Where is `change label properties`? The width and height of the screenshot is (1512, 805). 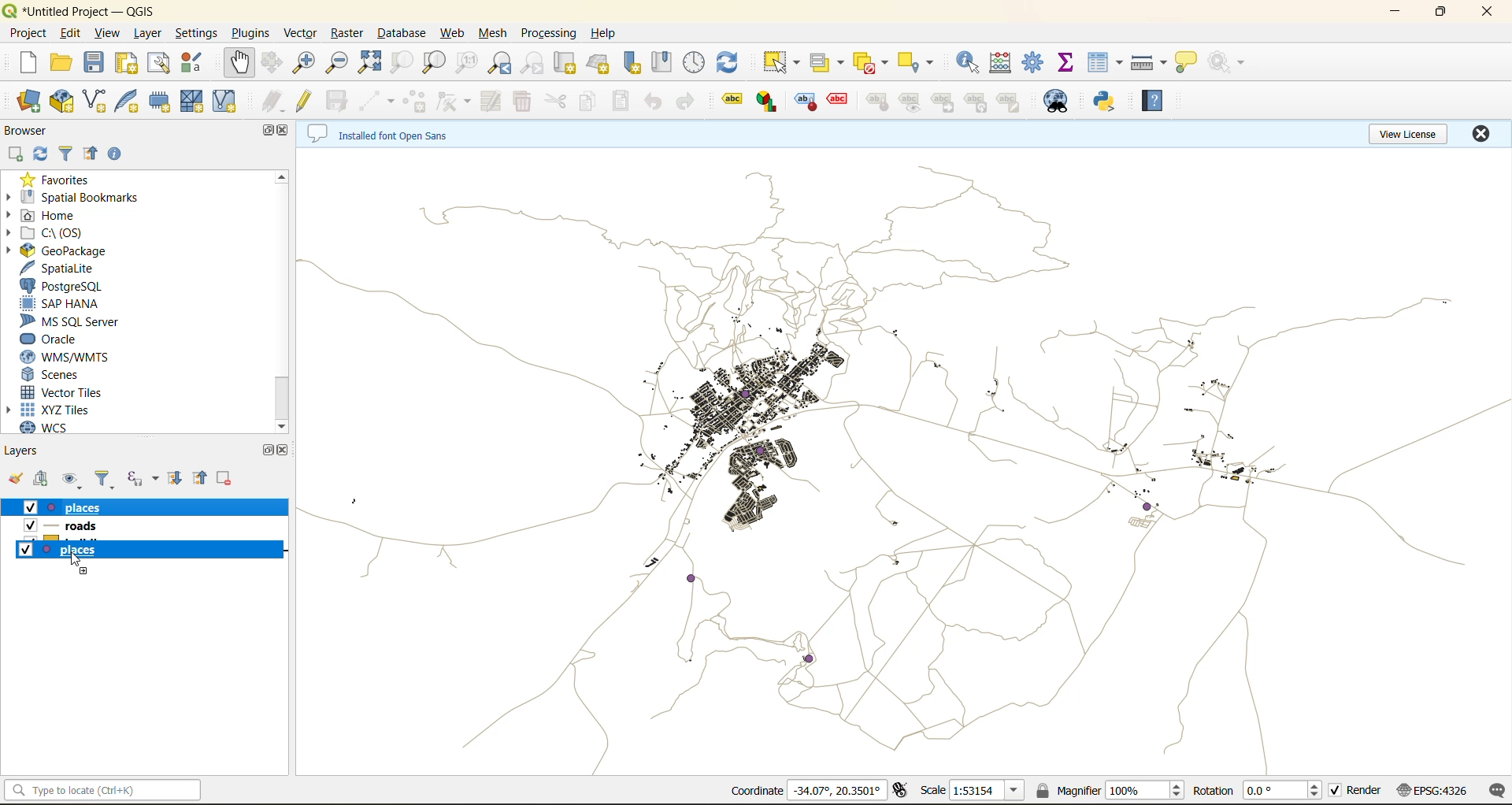 change label properties is located at coordinates (1012, 103).